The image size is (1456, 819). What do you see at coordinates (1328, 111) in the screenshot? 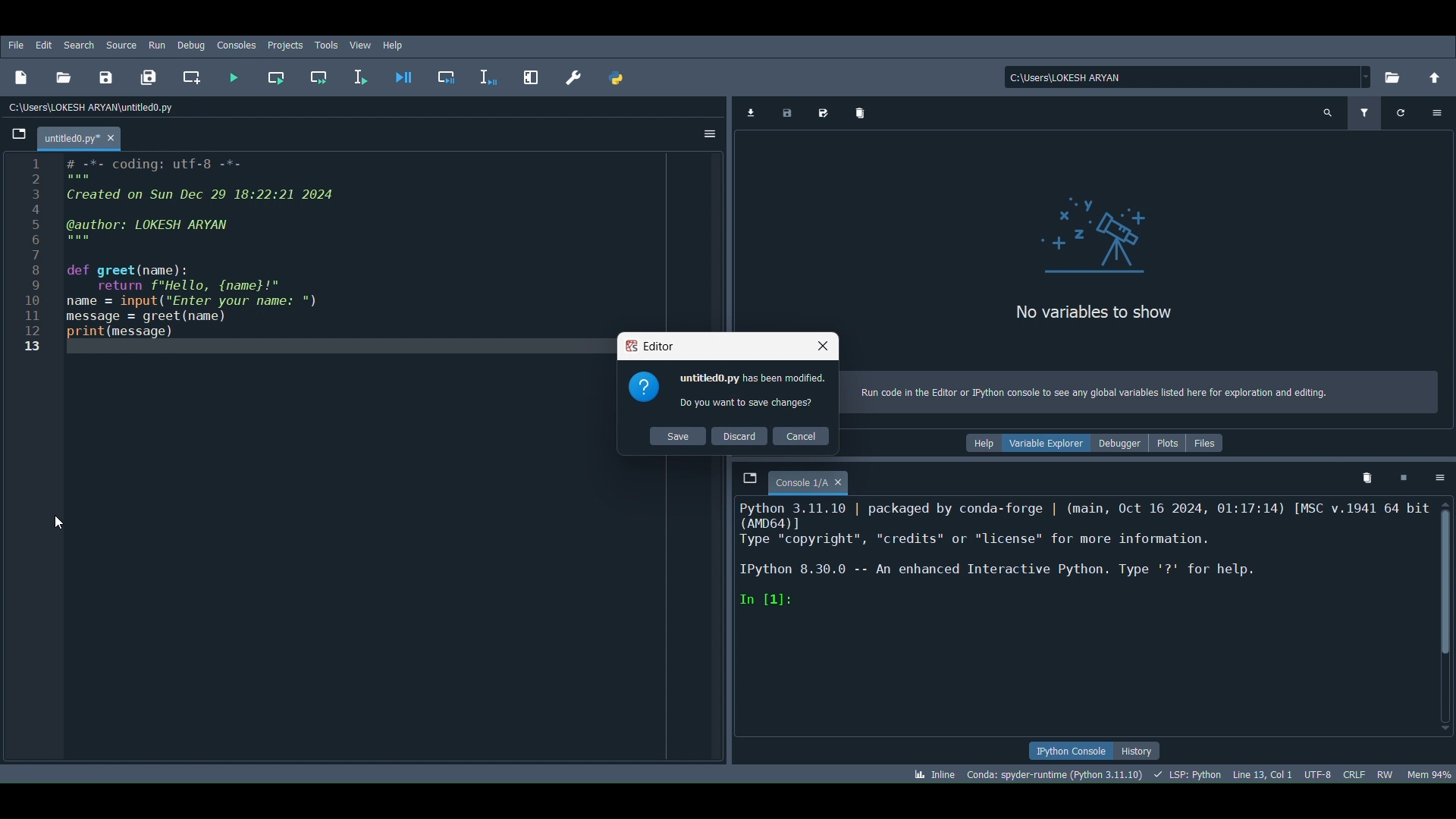
I see `Search variable names and types (Ctrl + F)` at bounding box center [1328, 111].